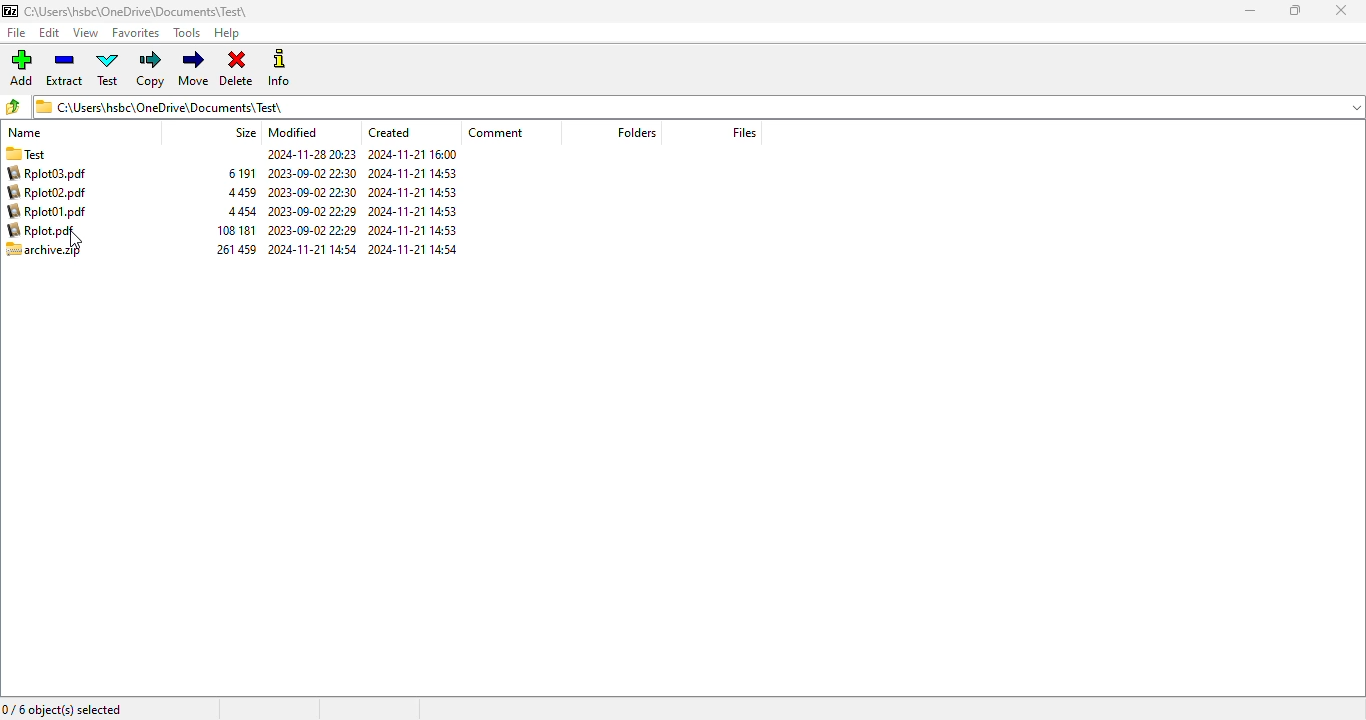  I want to click on copy, so click(151, 70).